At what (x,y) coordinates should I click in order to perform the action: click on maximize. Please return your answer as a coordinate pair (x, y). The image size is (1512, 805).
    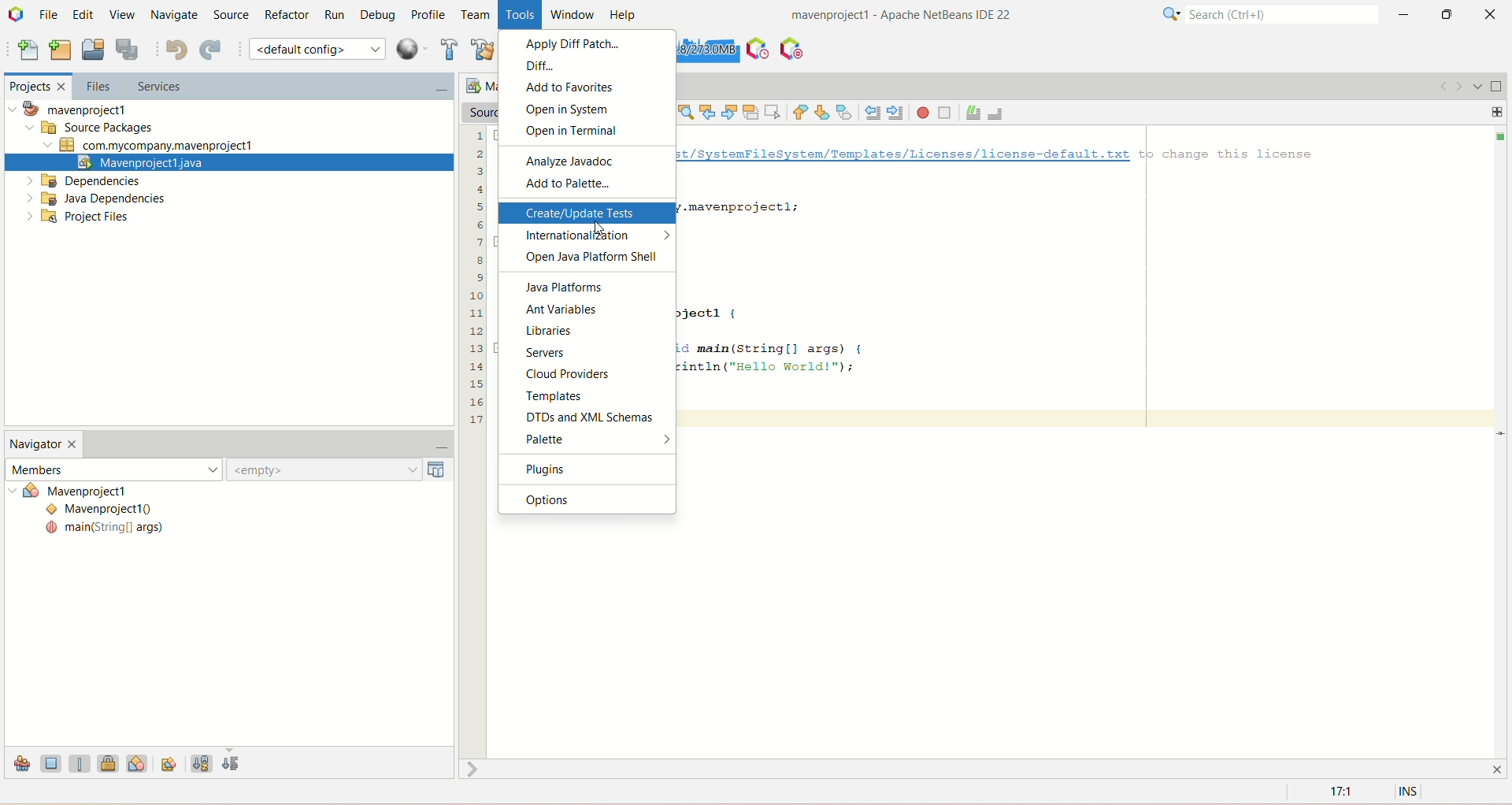
    Looking at the image, I should click on (1447, 14).